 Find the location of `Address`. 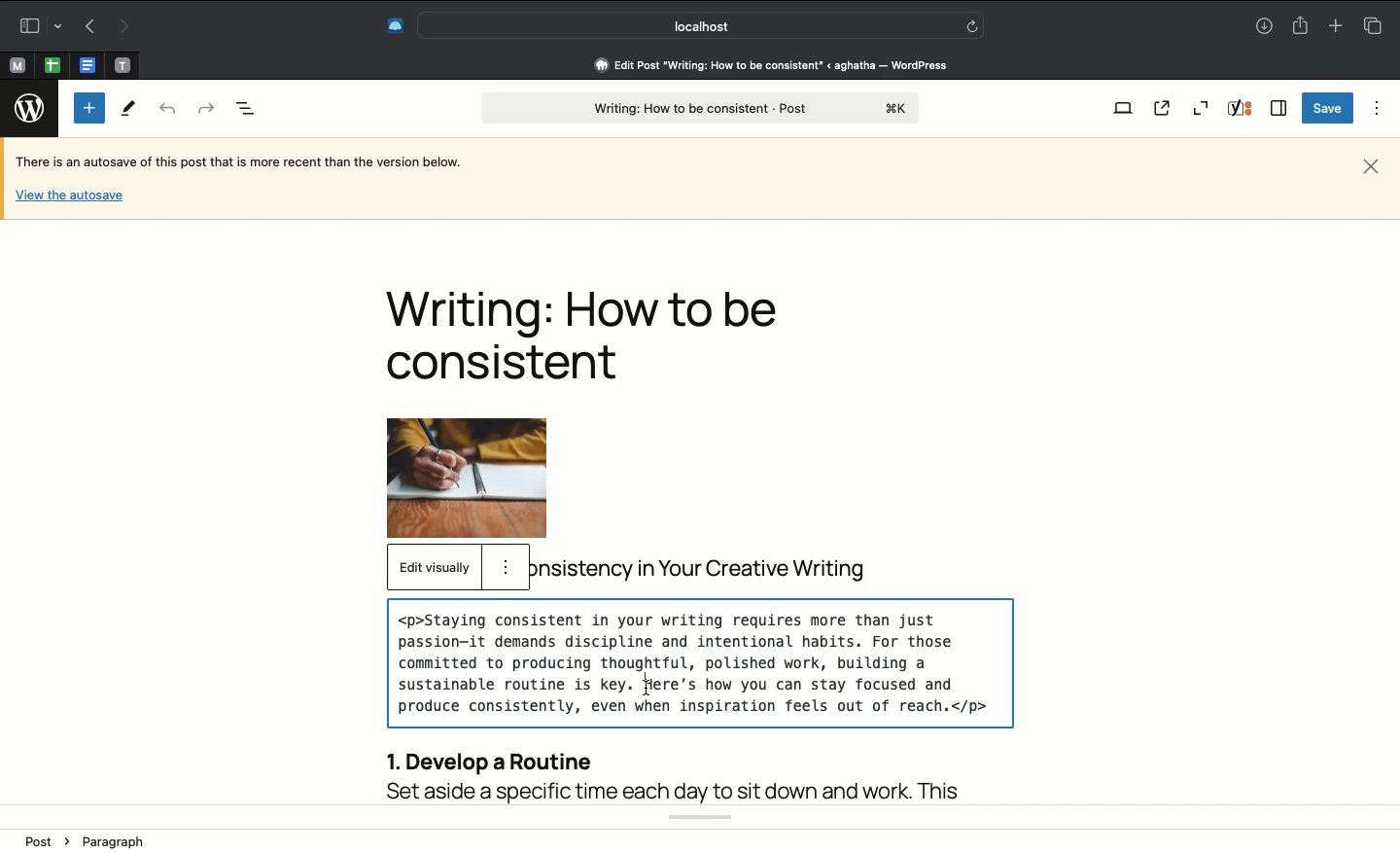

Address is located at coordinates (758, 65).